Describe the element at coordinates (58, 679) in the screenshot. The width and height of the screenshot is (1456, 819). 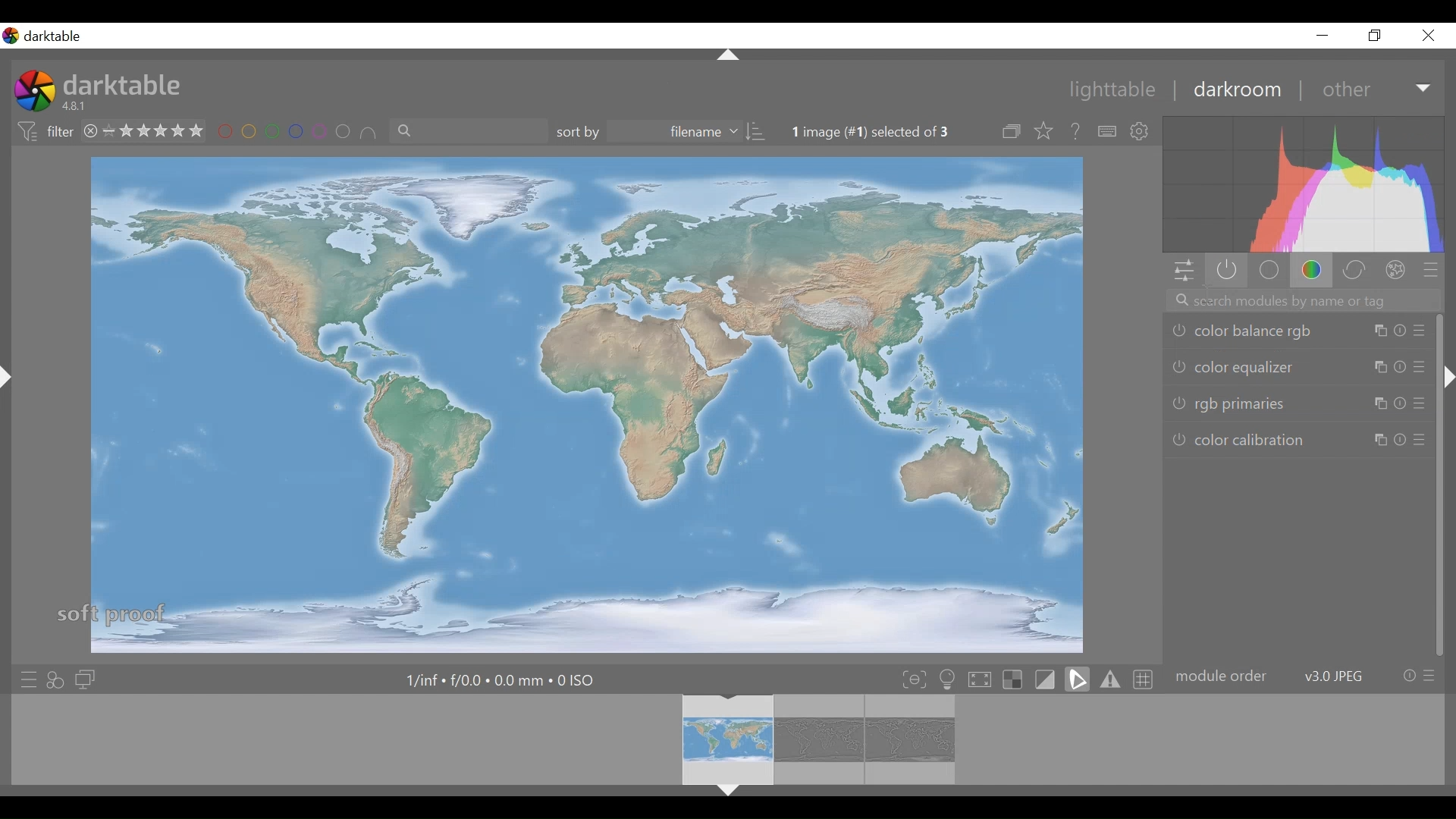
I see `quick access for applying any of styles` at that location.